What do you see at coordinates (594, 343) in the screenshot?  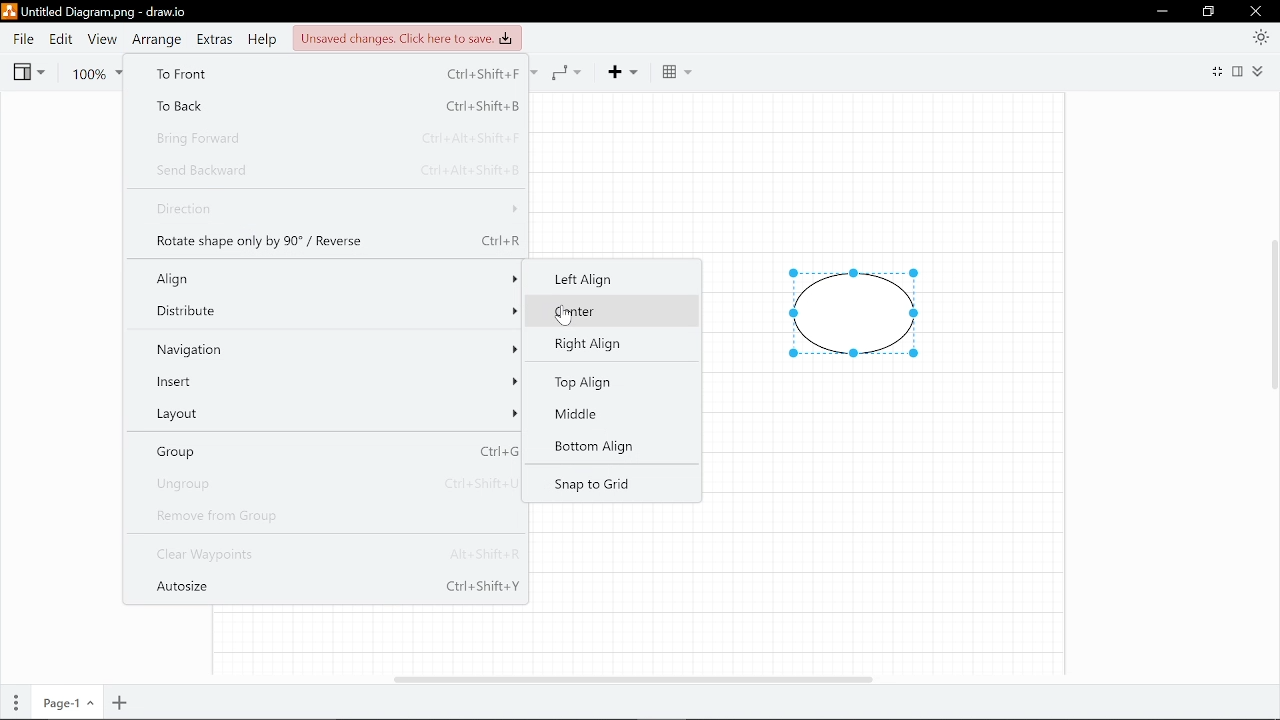 I see `Right align` at bounding box center [594, 343].